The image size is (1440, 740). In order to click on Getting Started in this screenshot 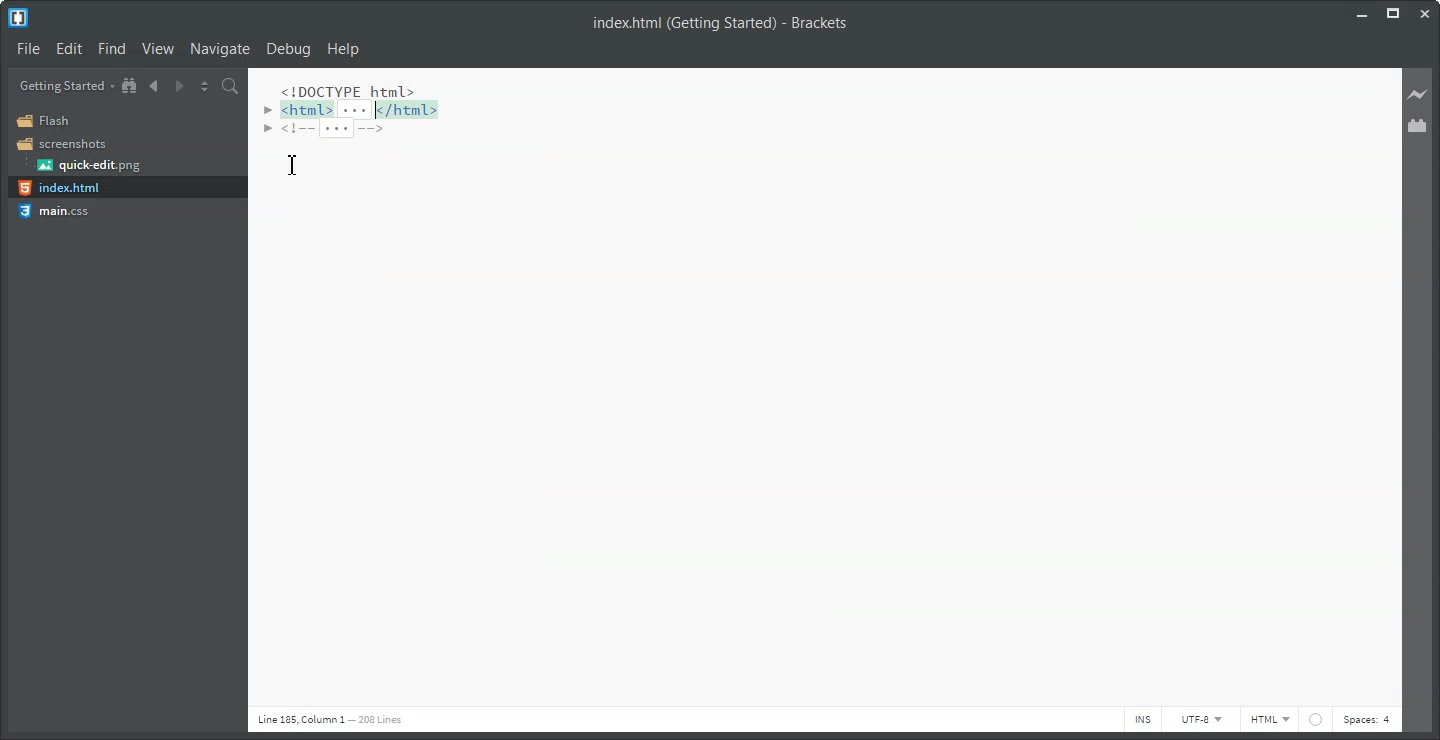, I will do `click(67, 85)`.